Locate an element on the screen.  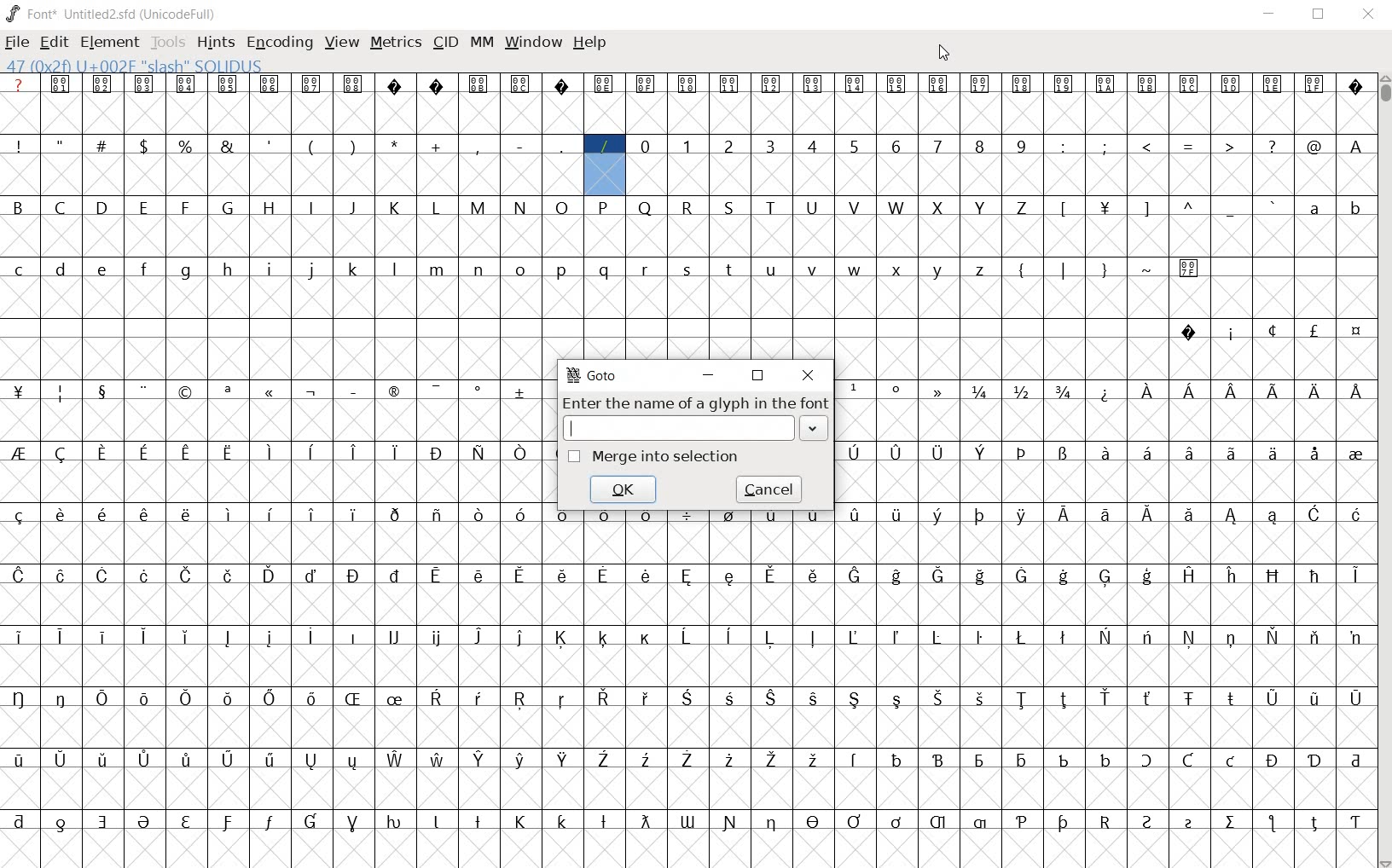
glyph is located at coordinates (188, 576).